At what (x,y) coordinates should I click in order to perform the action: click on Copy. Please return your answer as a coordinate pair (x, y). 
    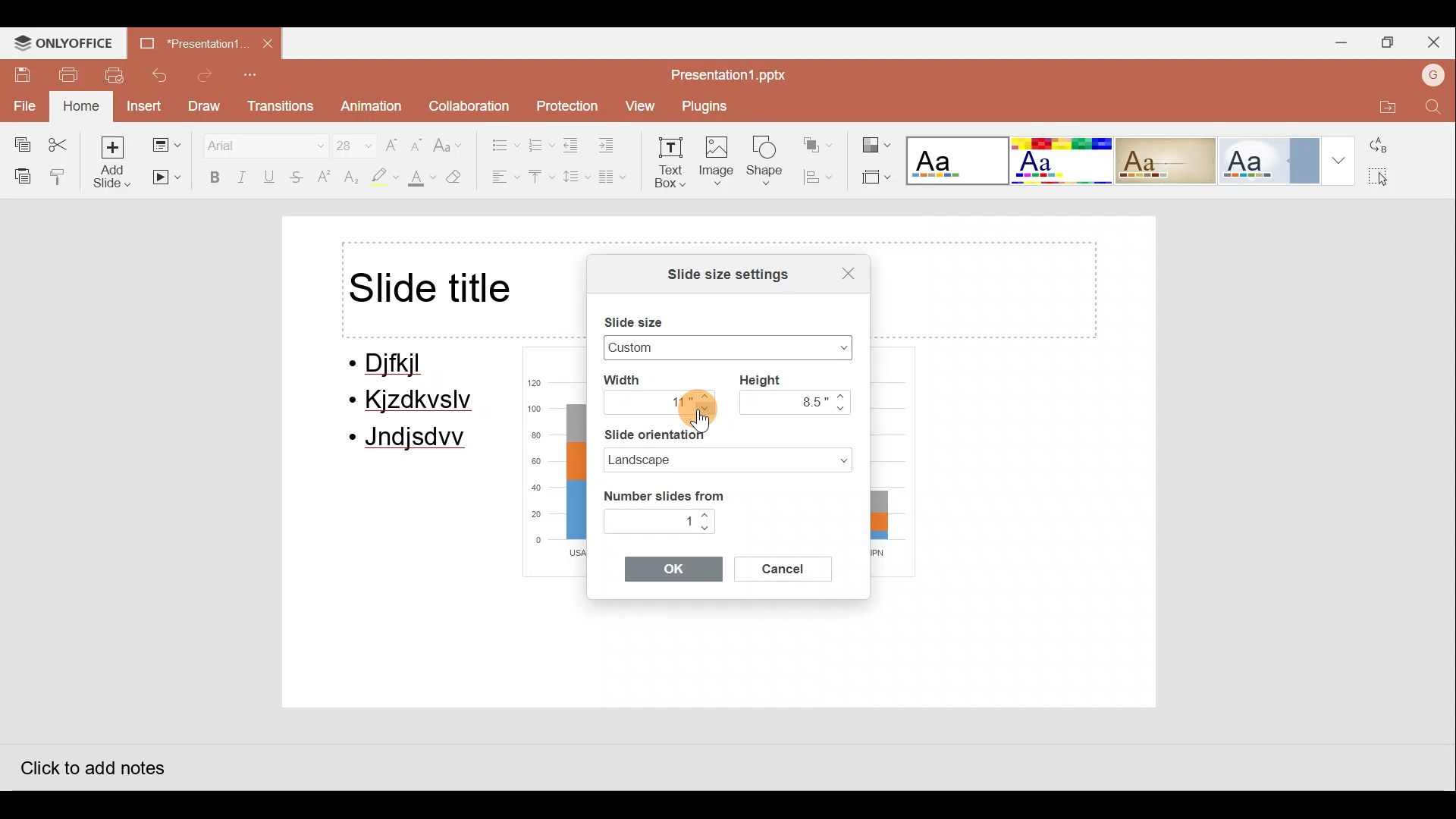
    Looking at the image, I should click on (17, 141).